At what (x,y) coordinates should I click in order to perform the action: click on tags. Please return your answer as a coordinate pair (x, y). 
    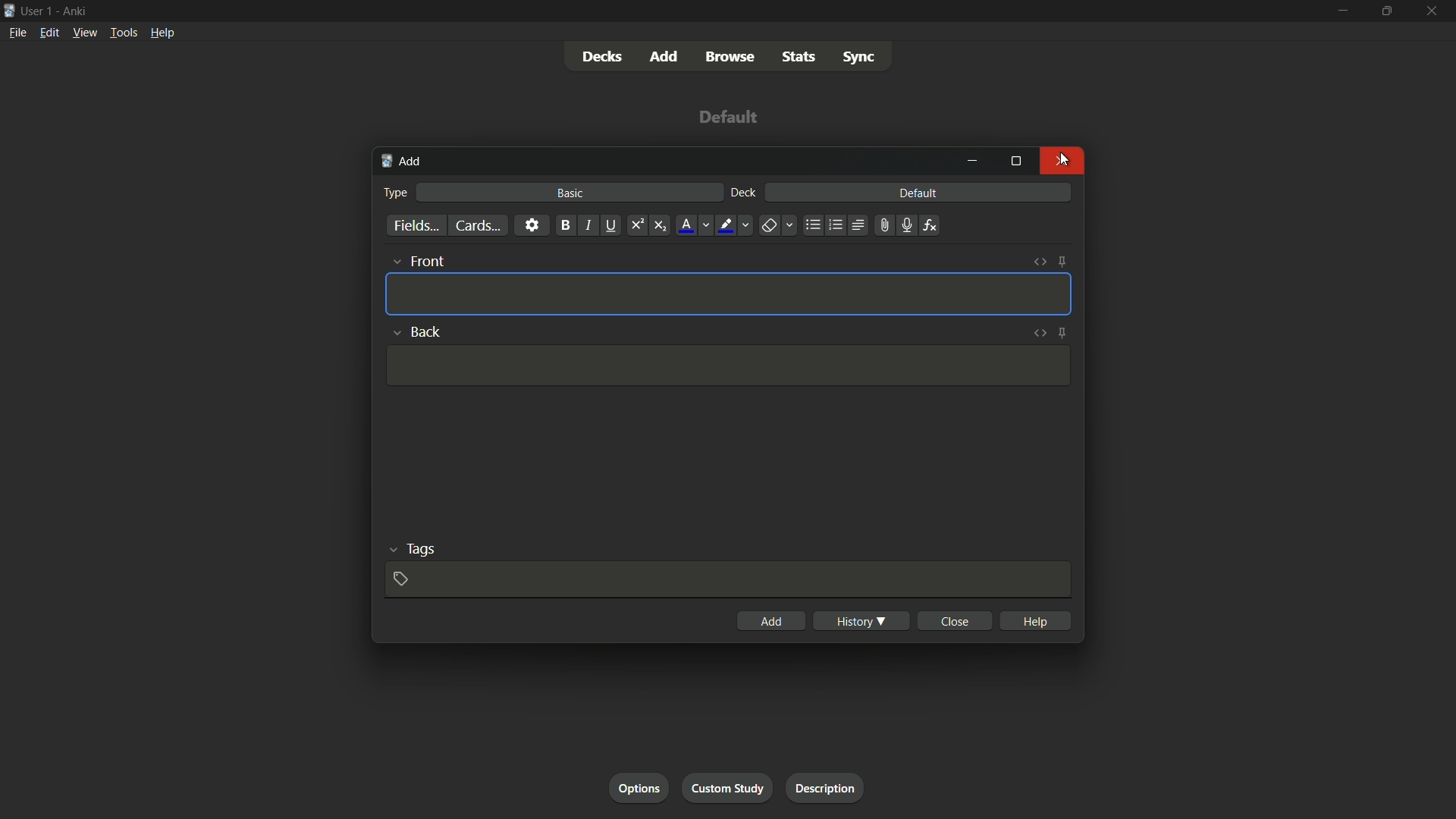
    Looking at the image, I should click on (413, 548).